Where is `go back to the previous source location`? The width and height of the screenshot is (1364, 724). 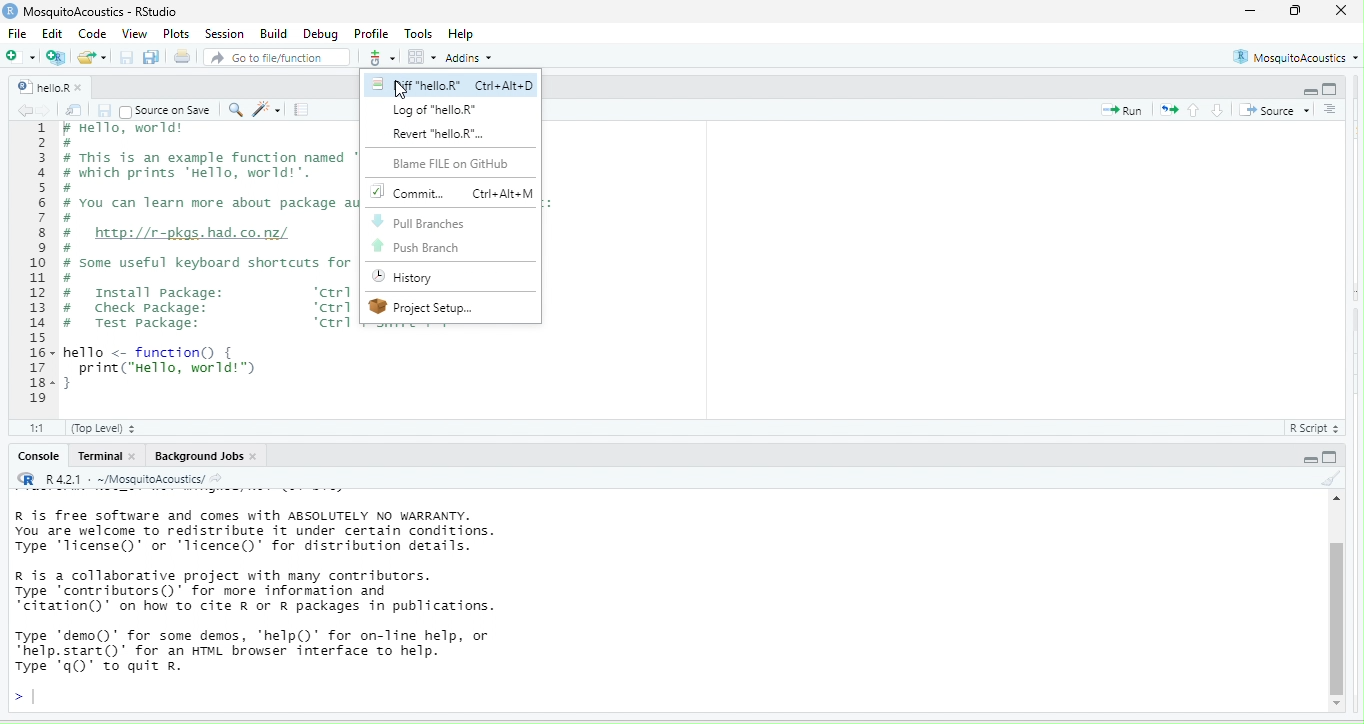
go back to the previous source location is located at coordinates (26, 110).